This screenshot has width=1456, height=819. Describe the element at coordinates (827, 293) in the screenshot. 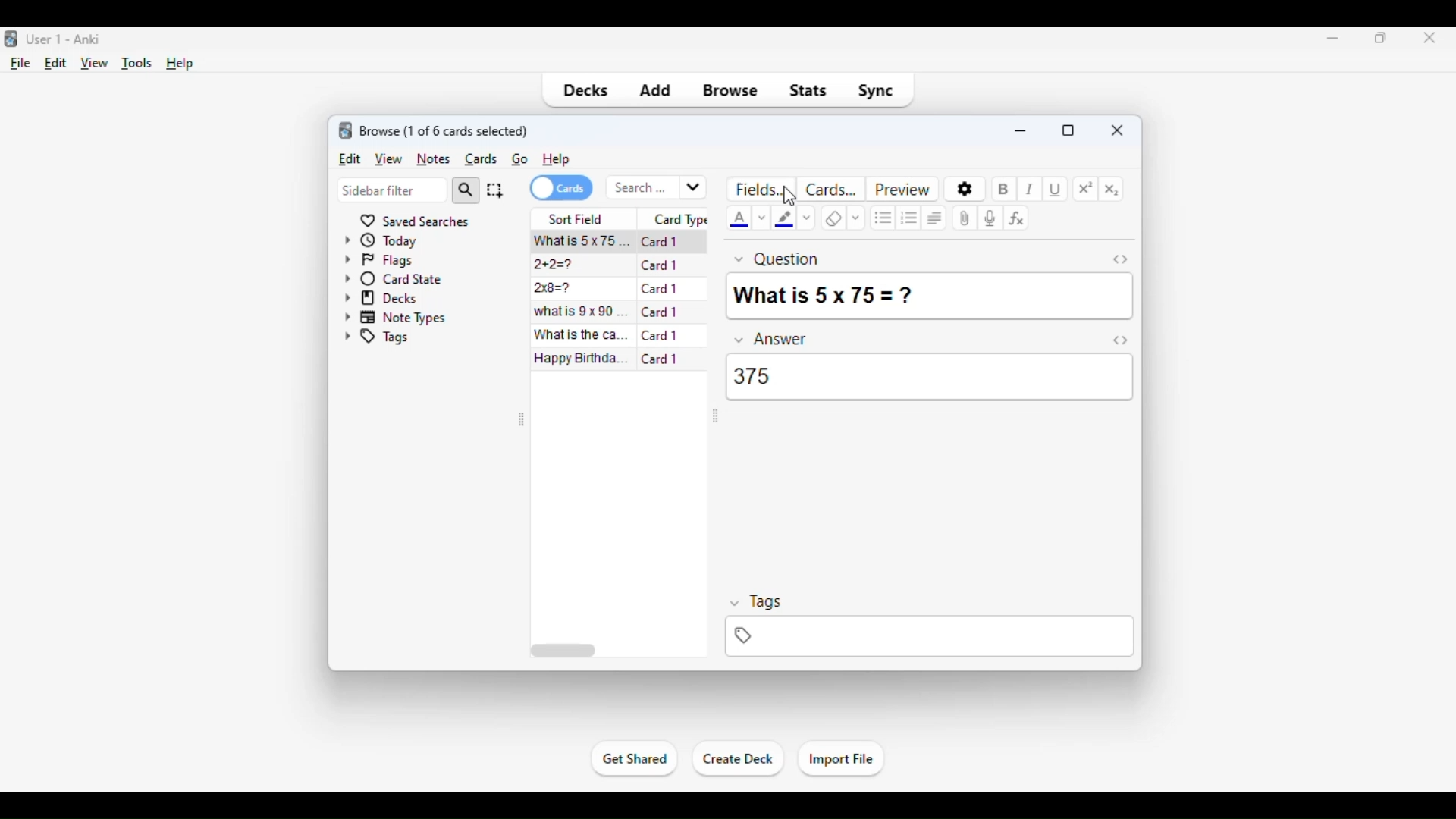

I see `what is 5x75=?` at that location.